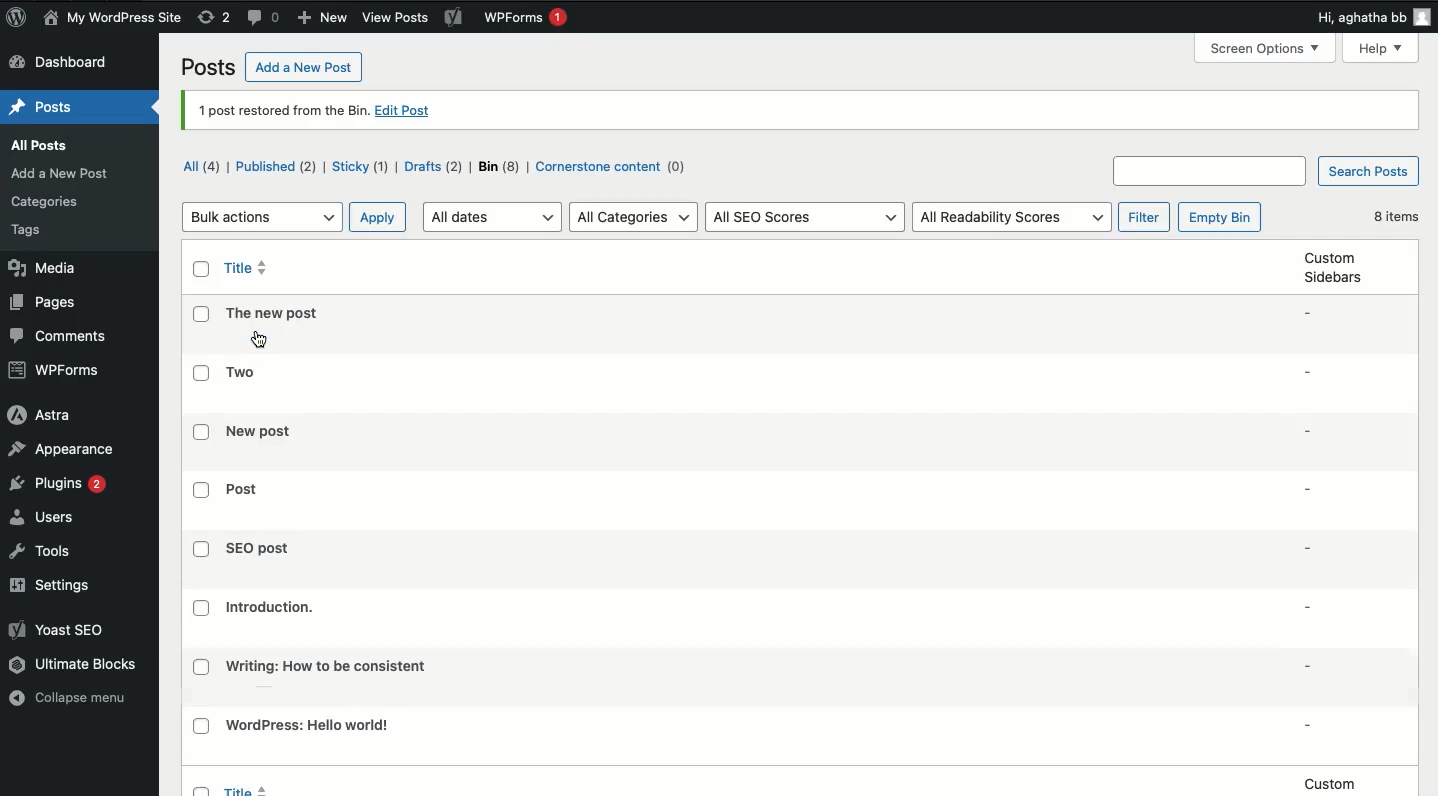 This screenshot has width=1438, height=796. Describe the element at coordinates (493, 217) in the screenshot. I see `All dates` at that location.